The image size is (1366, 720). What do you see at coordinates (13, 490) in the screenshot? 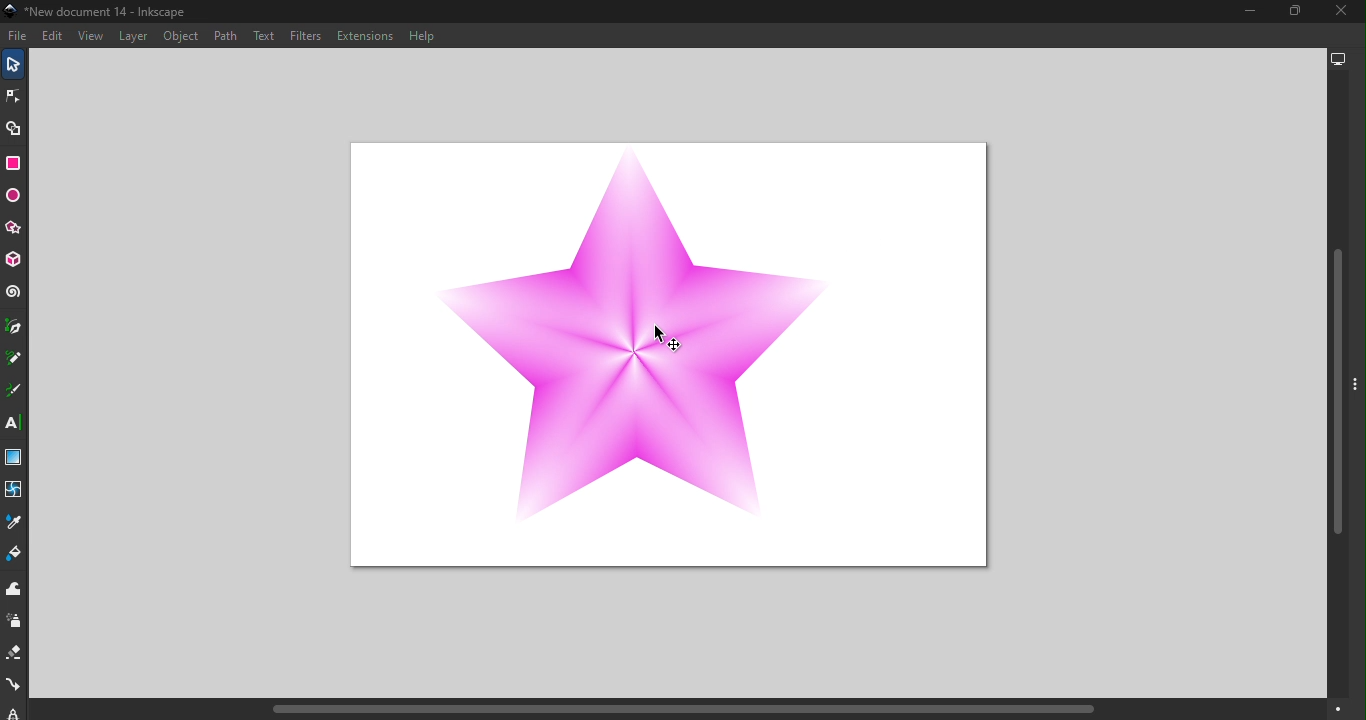
I see `Mesh tool` at bounding box center [13, 490].